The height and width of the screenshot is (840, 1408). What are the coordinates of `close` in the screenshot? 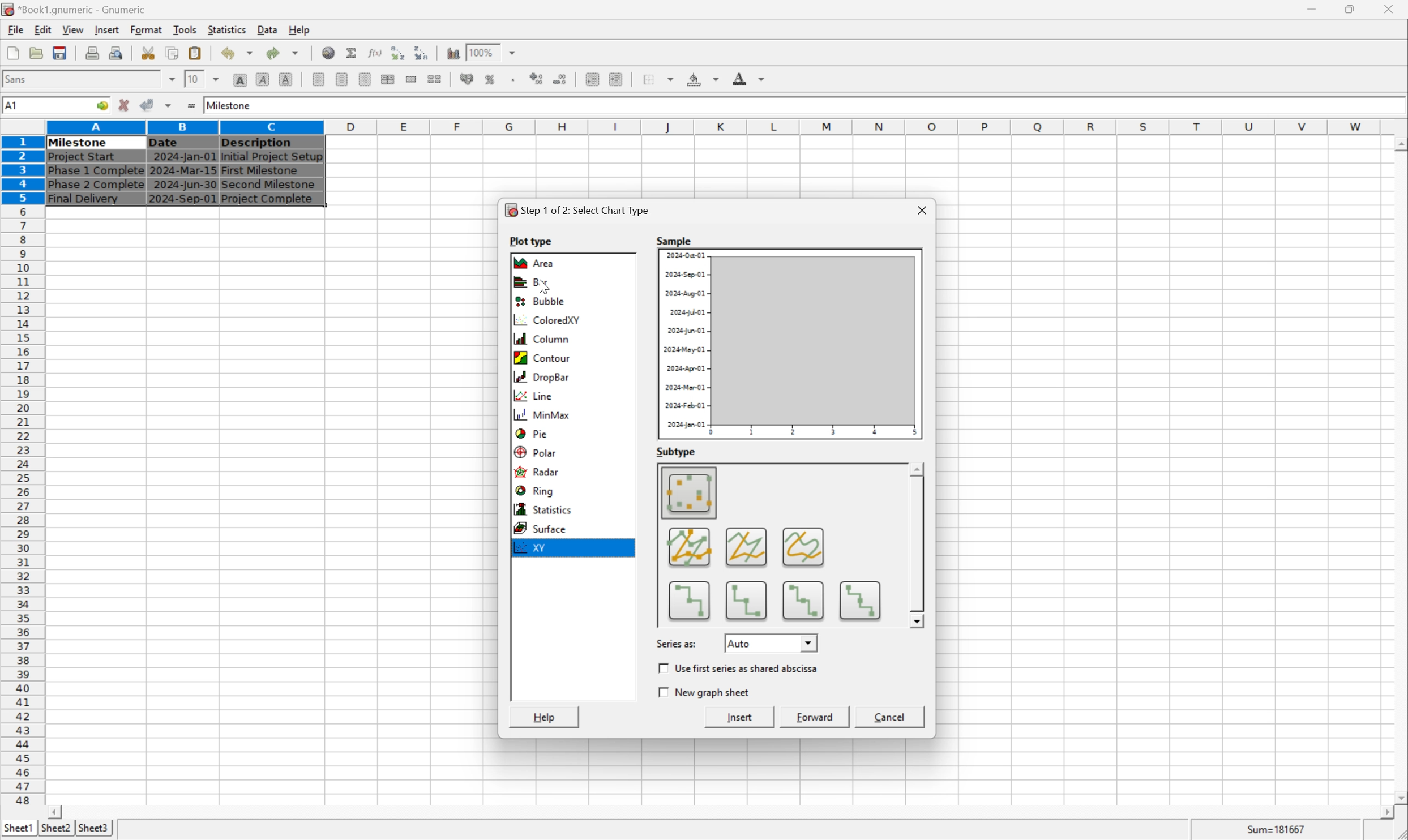 It's located at (920, 208).